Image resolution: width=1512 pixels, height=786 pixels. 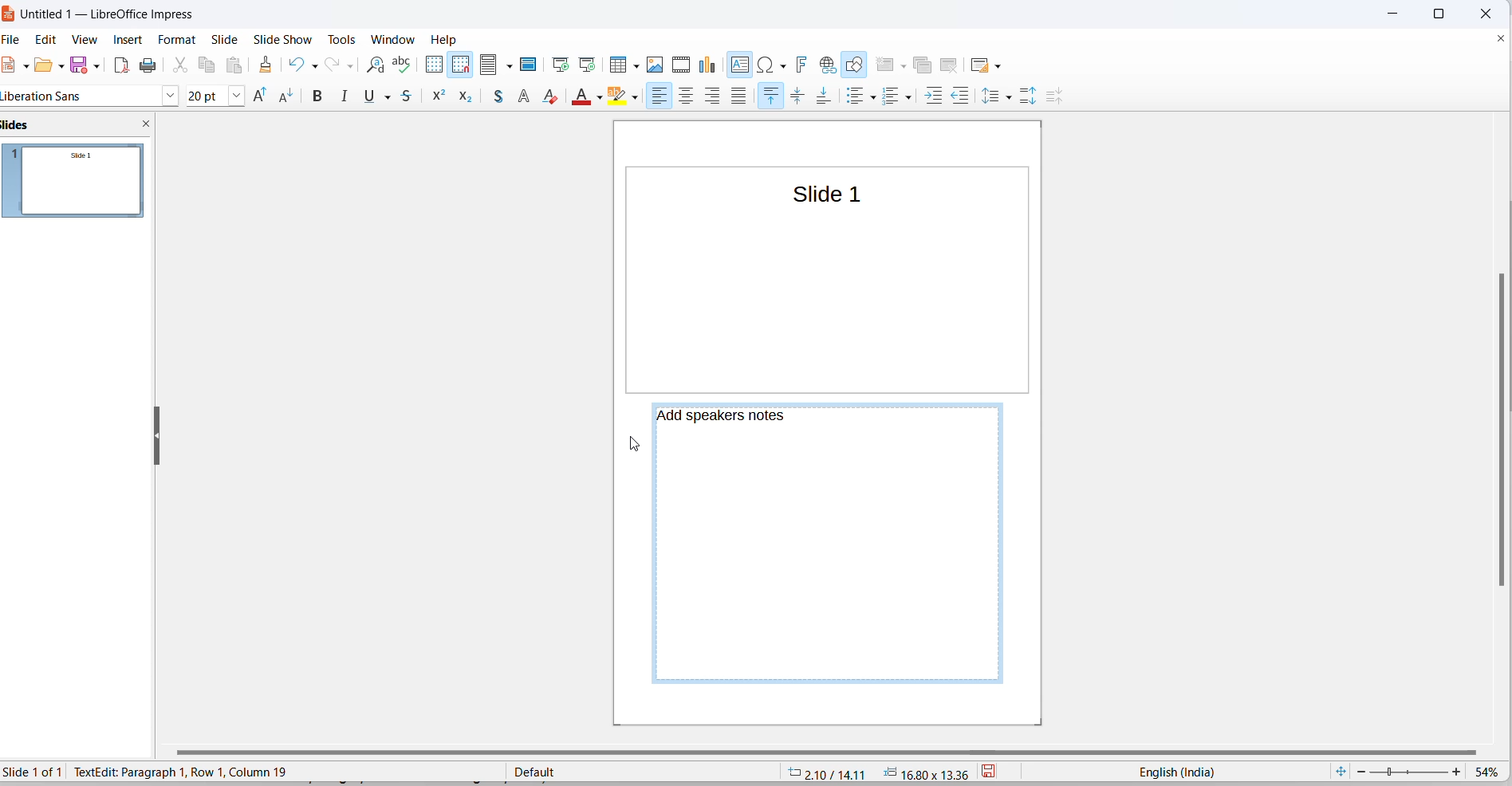 What do you see at coordinates (121, 68) in the screenshot?
I see `export as pdf` at bounding box center [121, 68].